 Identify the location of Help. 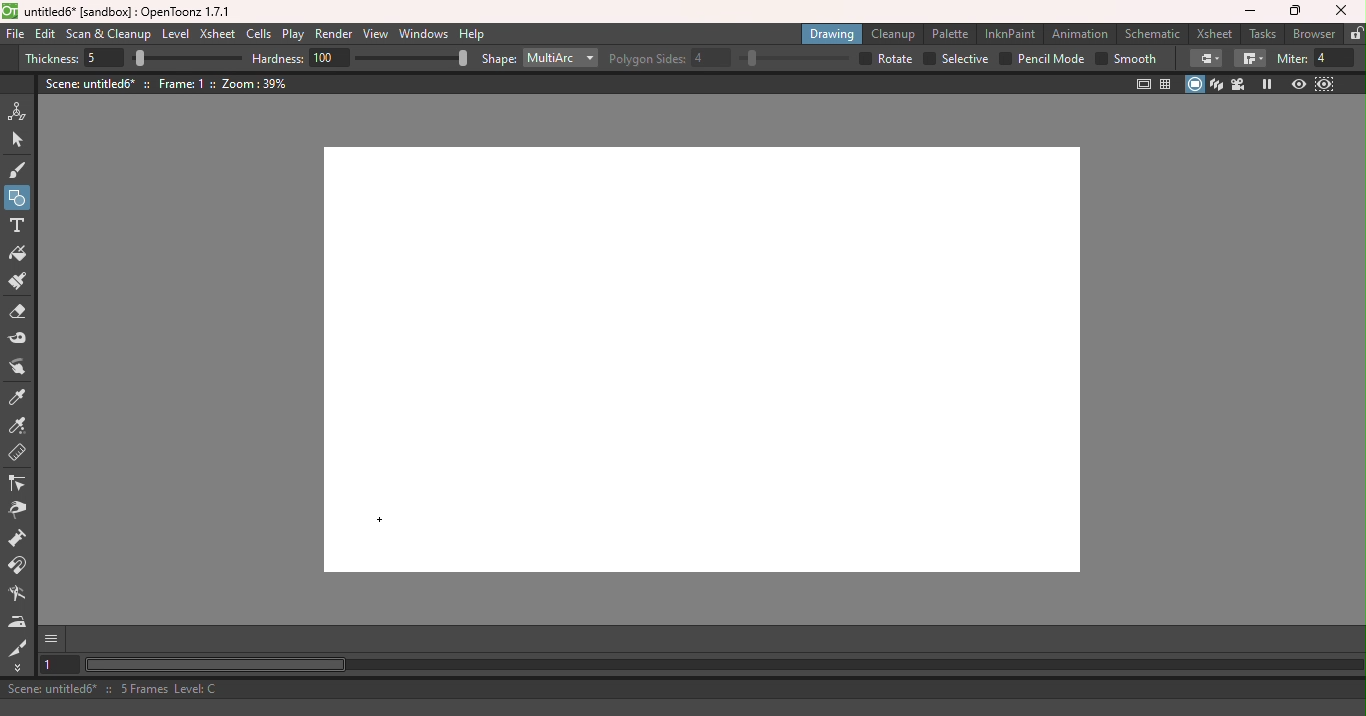
(473, 34).